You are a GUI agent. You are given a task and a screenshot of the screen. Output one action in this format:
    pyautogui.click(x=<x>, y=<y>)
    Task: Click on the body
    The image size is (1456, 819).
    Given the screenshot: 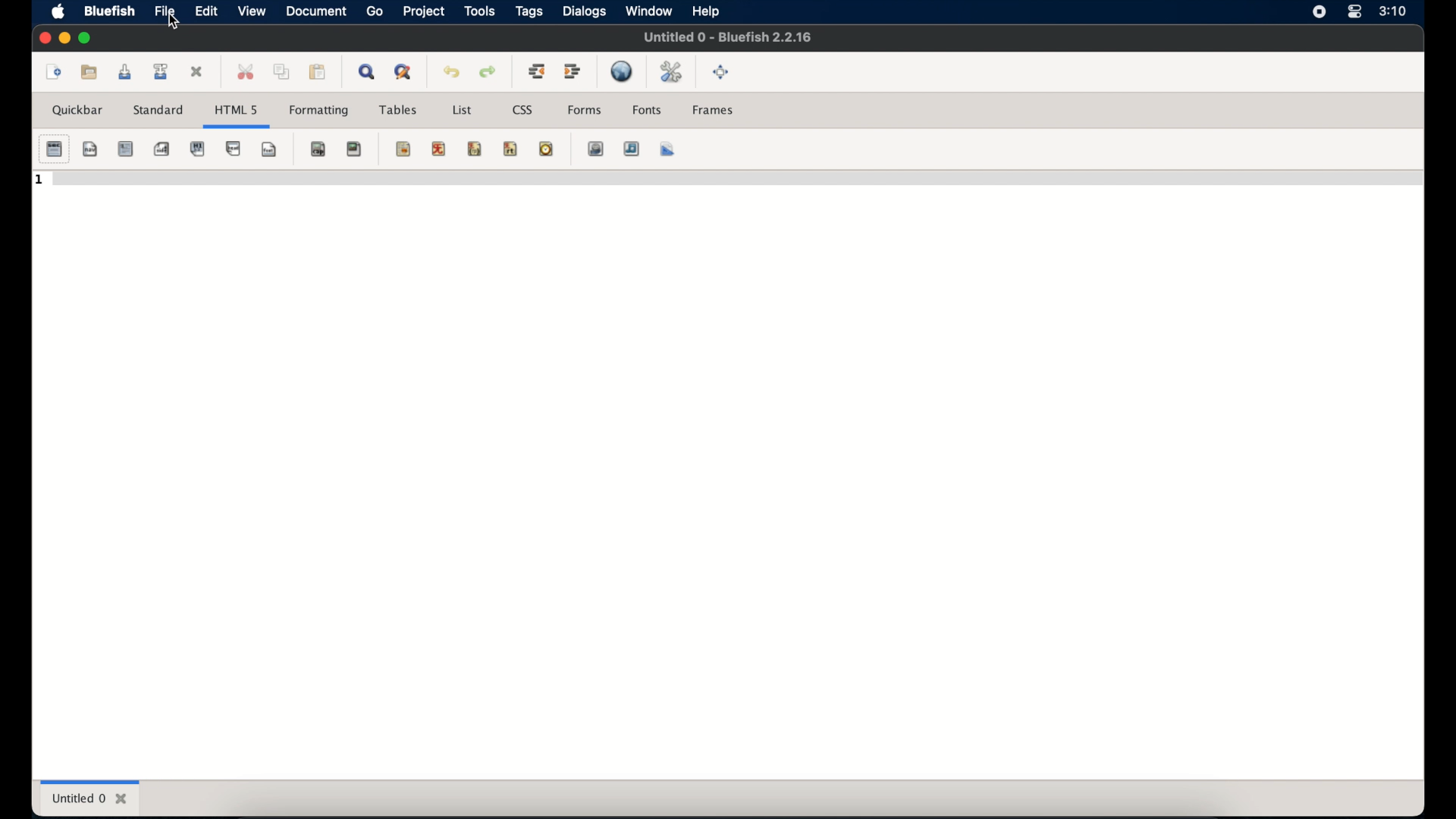 What is the action you would take?
    pyautogui.click(x=90, y=149)
    